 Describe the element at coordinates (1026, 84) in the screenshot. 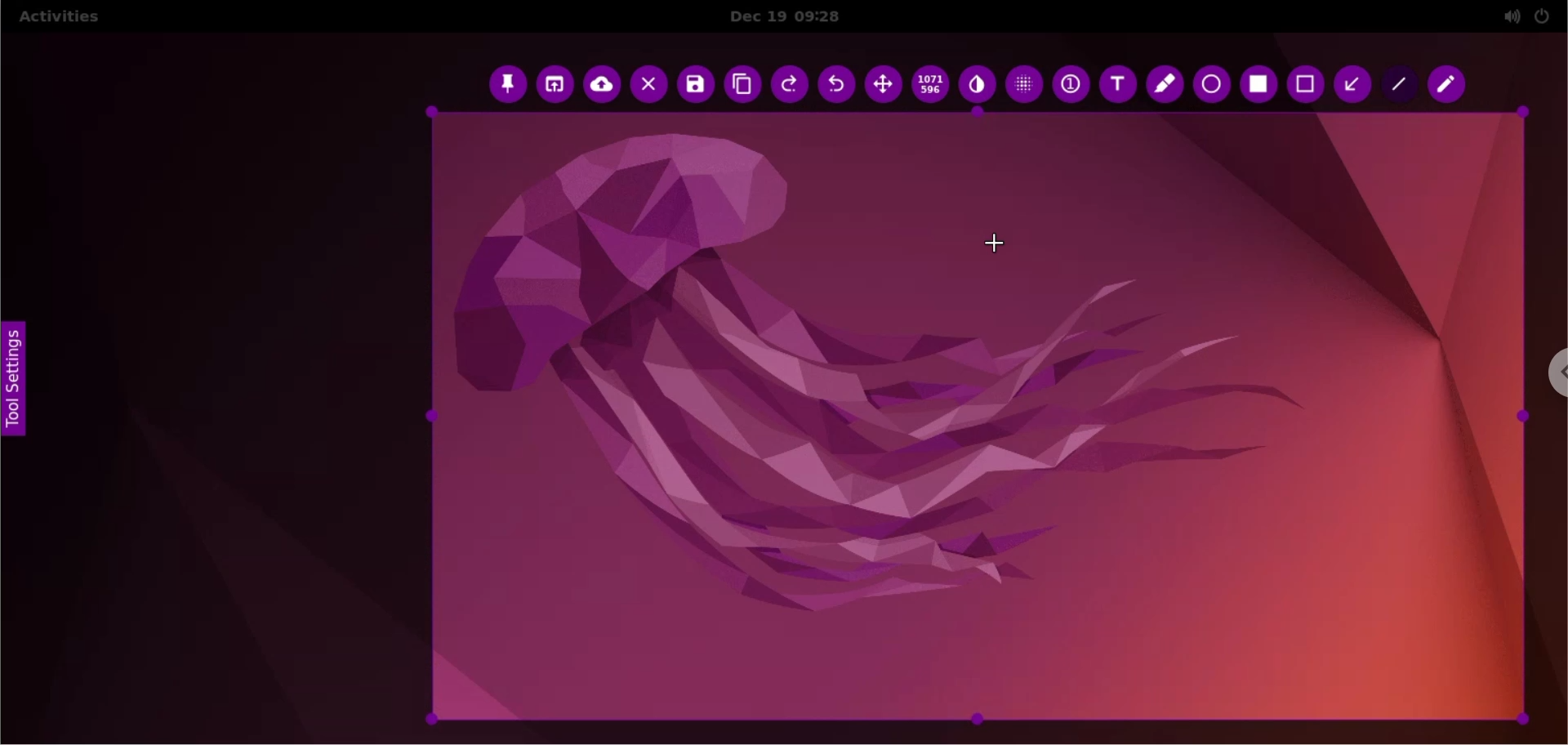

I see `pixellete ` at that location.